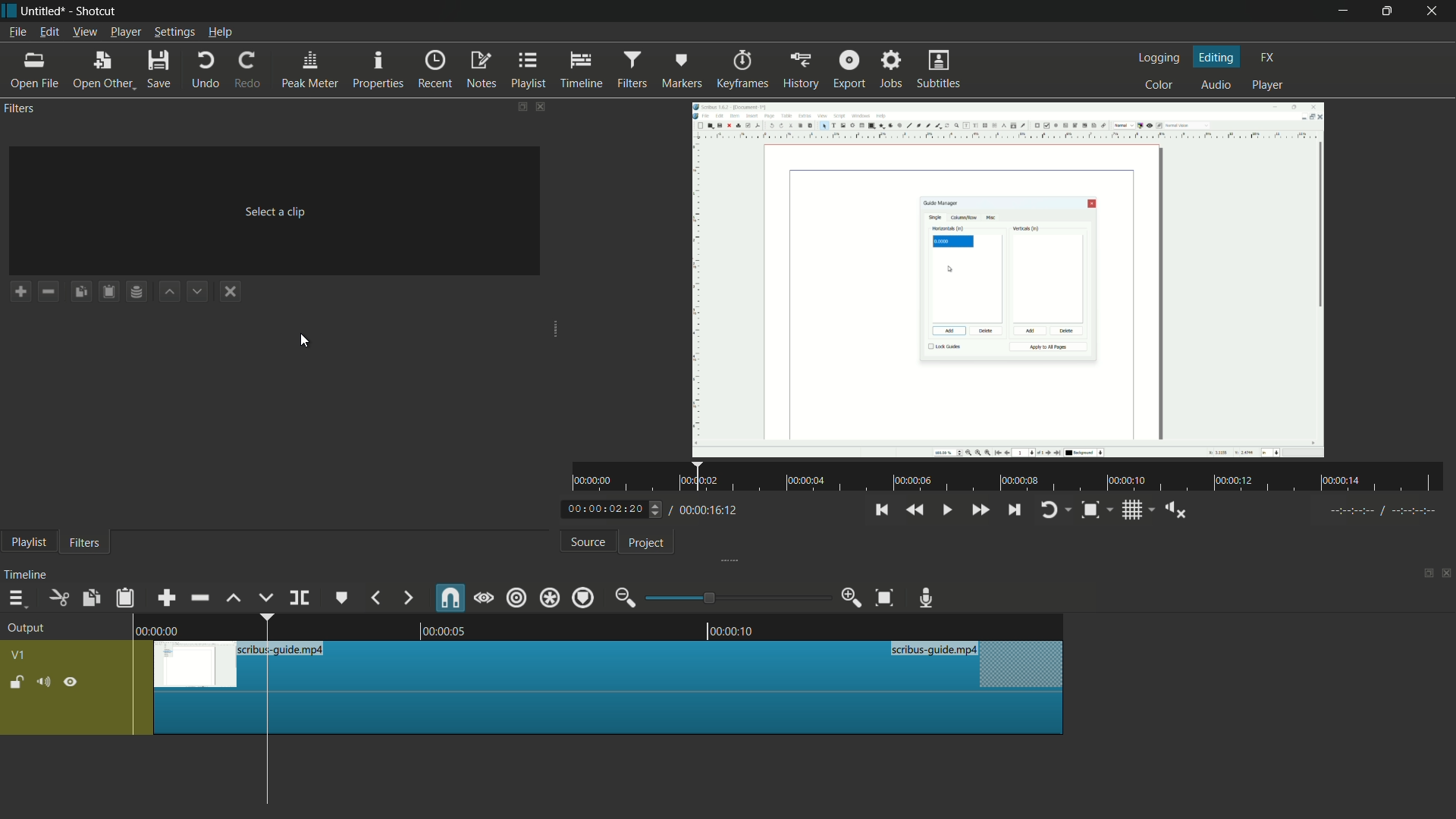 The width and height of the screenshot is (1456, 819). What do you see at coordinates (924, 598) in the screenshot?
I see `record audio` at bounding box center [924, 598].